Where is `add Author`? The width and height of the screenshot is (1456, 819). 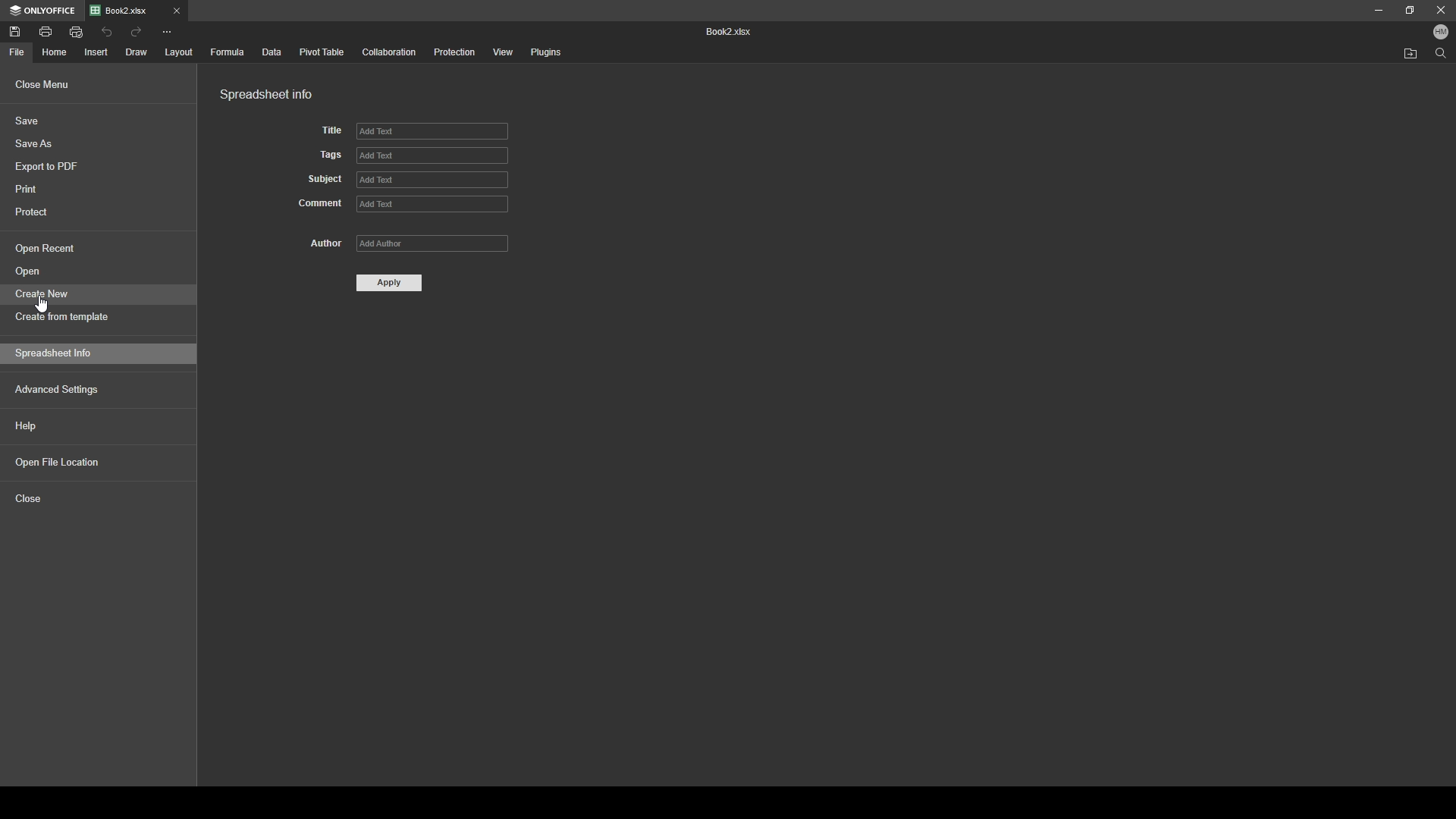 add Author is located at coordinates (439, 243).